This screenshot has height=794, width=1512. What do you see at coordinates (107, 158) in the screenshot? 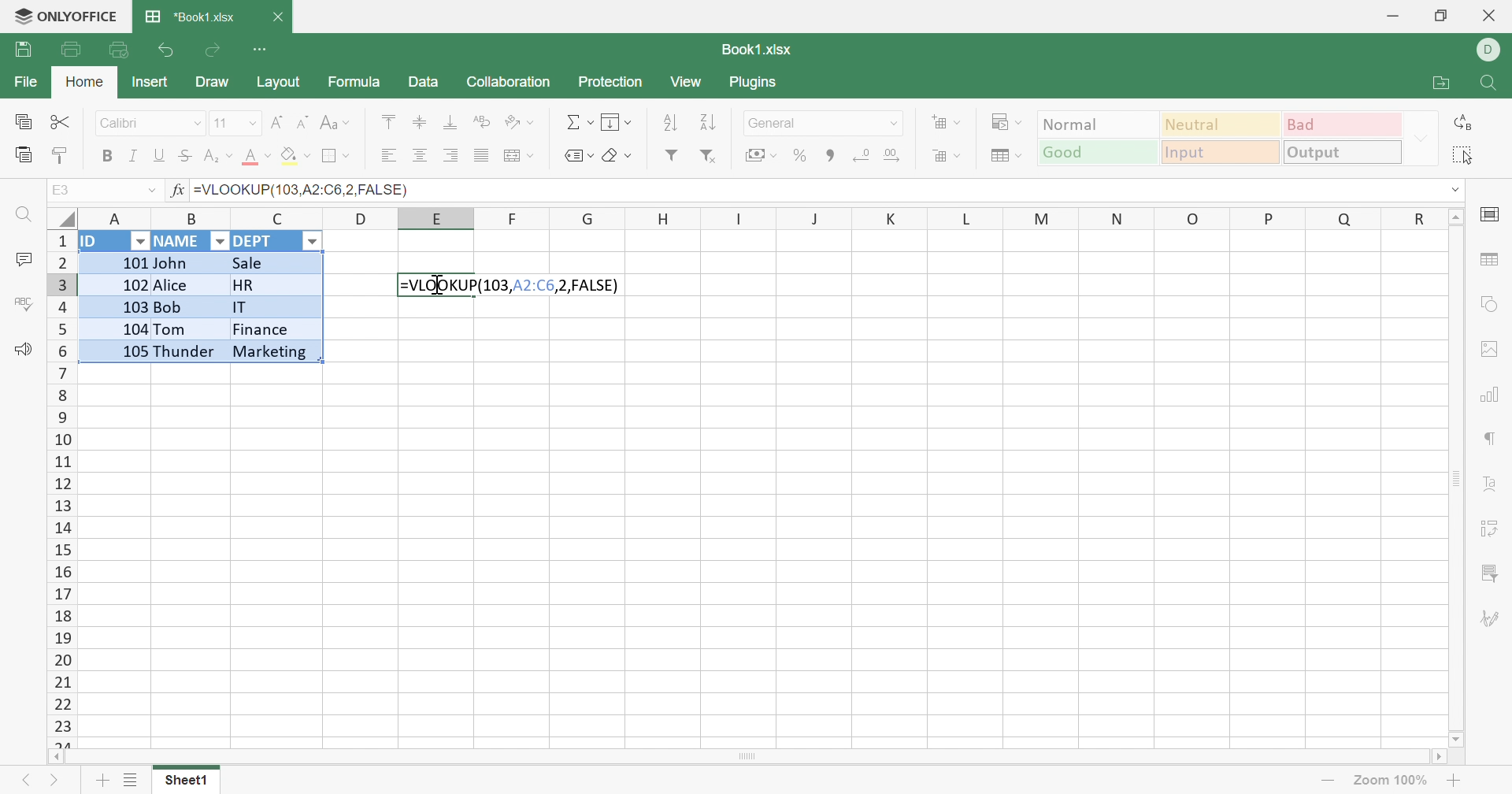
I see `Bold` at bounding box center [107, 158].